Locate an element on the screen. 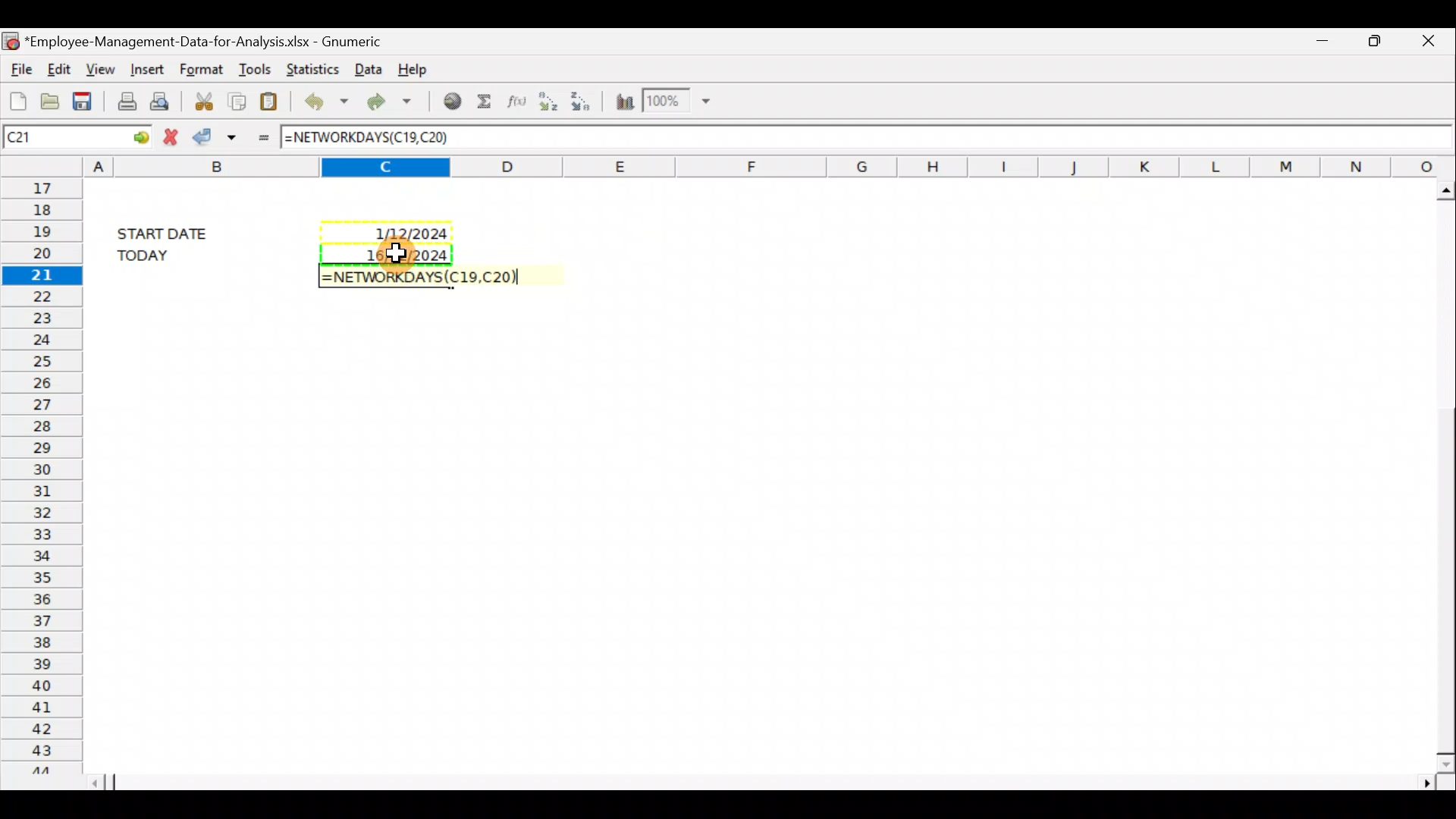 The height and width of the screenshot is (819, 1456). Enter formula is located at coordinates (260, 136).